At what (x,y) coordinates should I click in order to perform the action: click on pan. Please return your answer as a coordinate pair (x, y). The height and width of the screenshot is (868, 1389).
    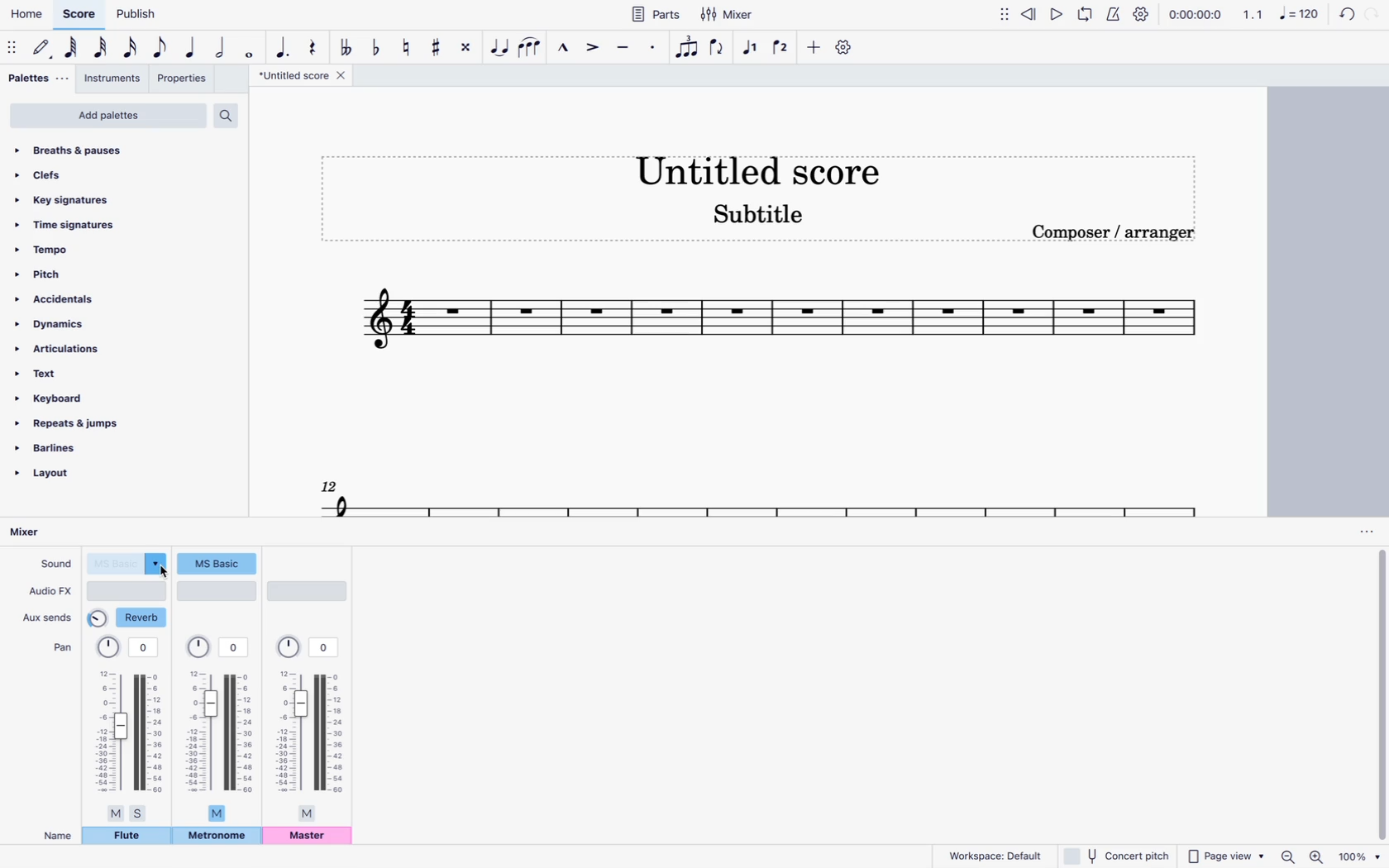
    Looking at the image, I should click on (61, 646).